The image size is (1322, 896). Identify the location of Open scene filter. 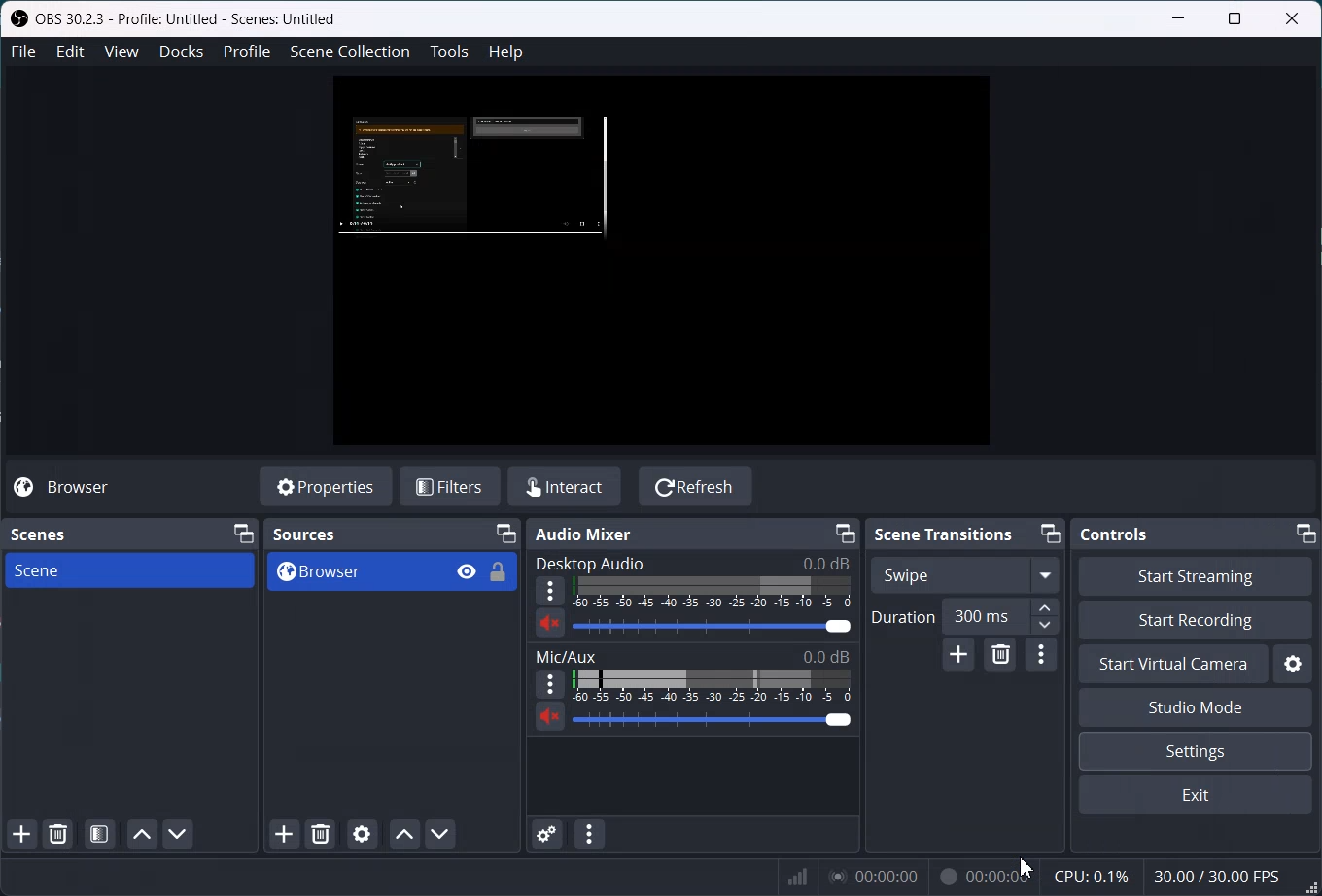
(100, 835).